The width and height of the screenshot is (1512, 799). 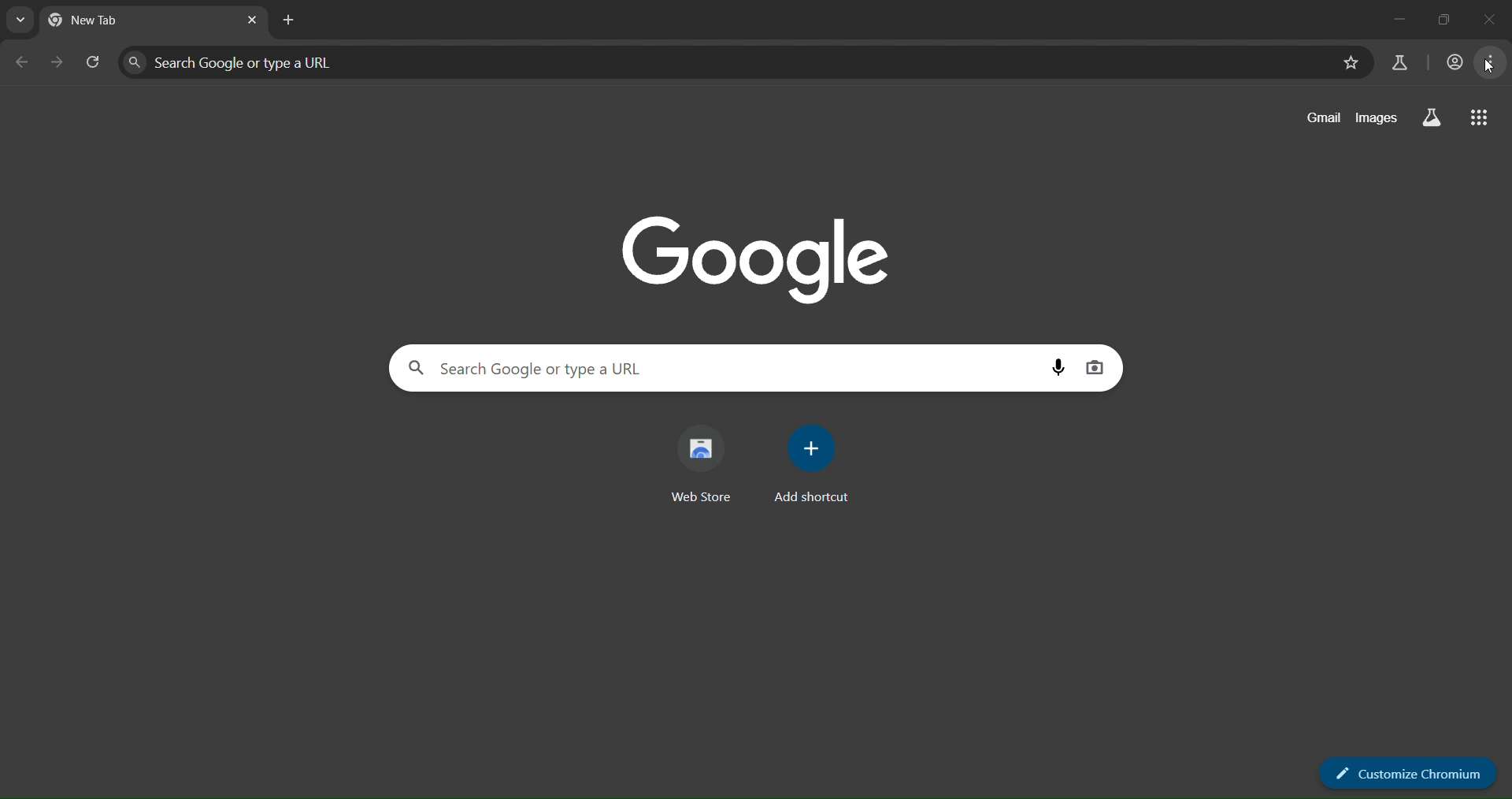 What do you see at coordinates (57, 64) in the screenshot?
I see `go forward one page` at bounding box center [57, 64].